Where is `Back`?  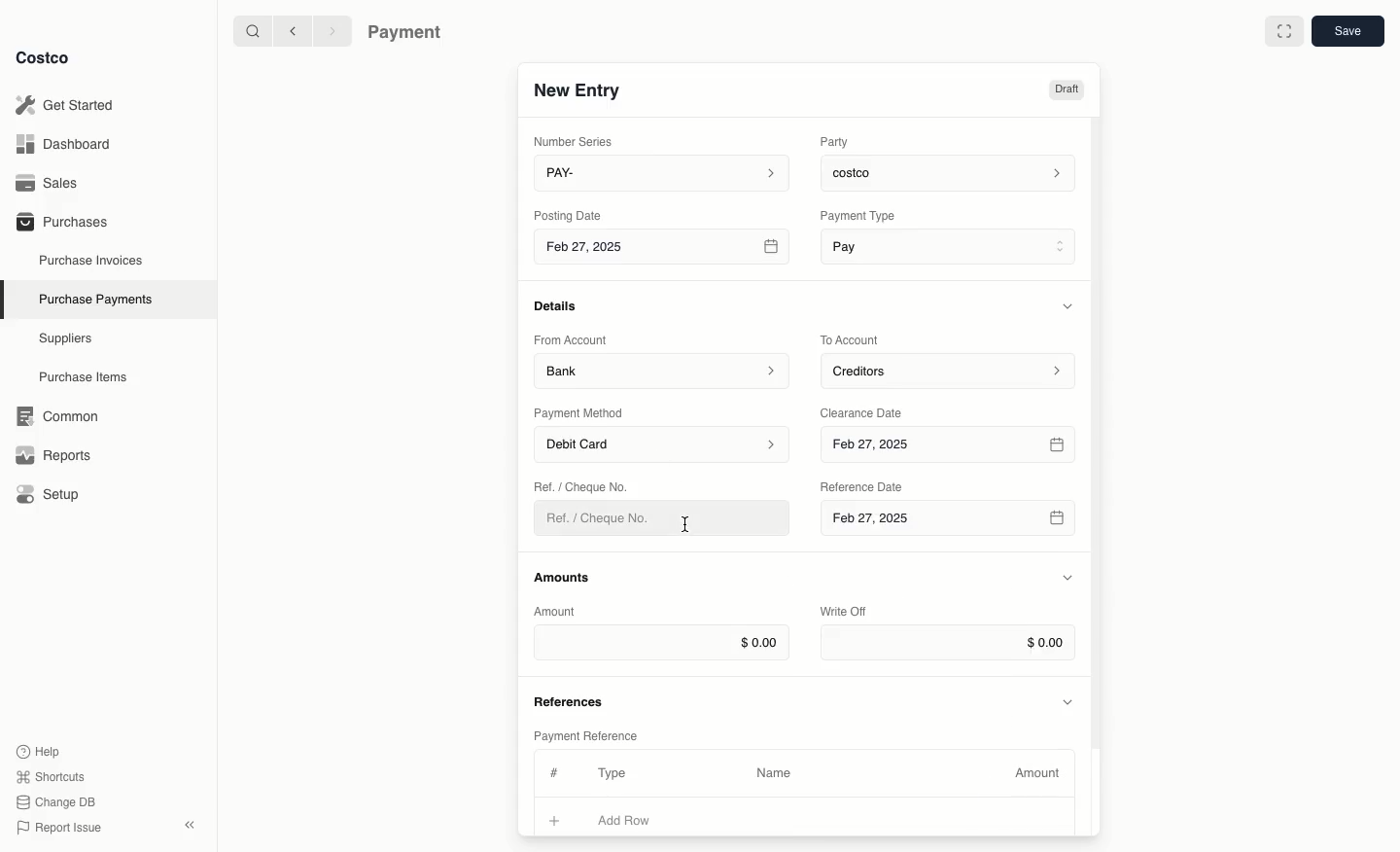 Back is located at coordinates (293, 30).